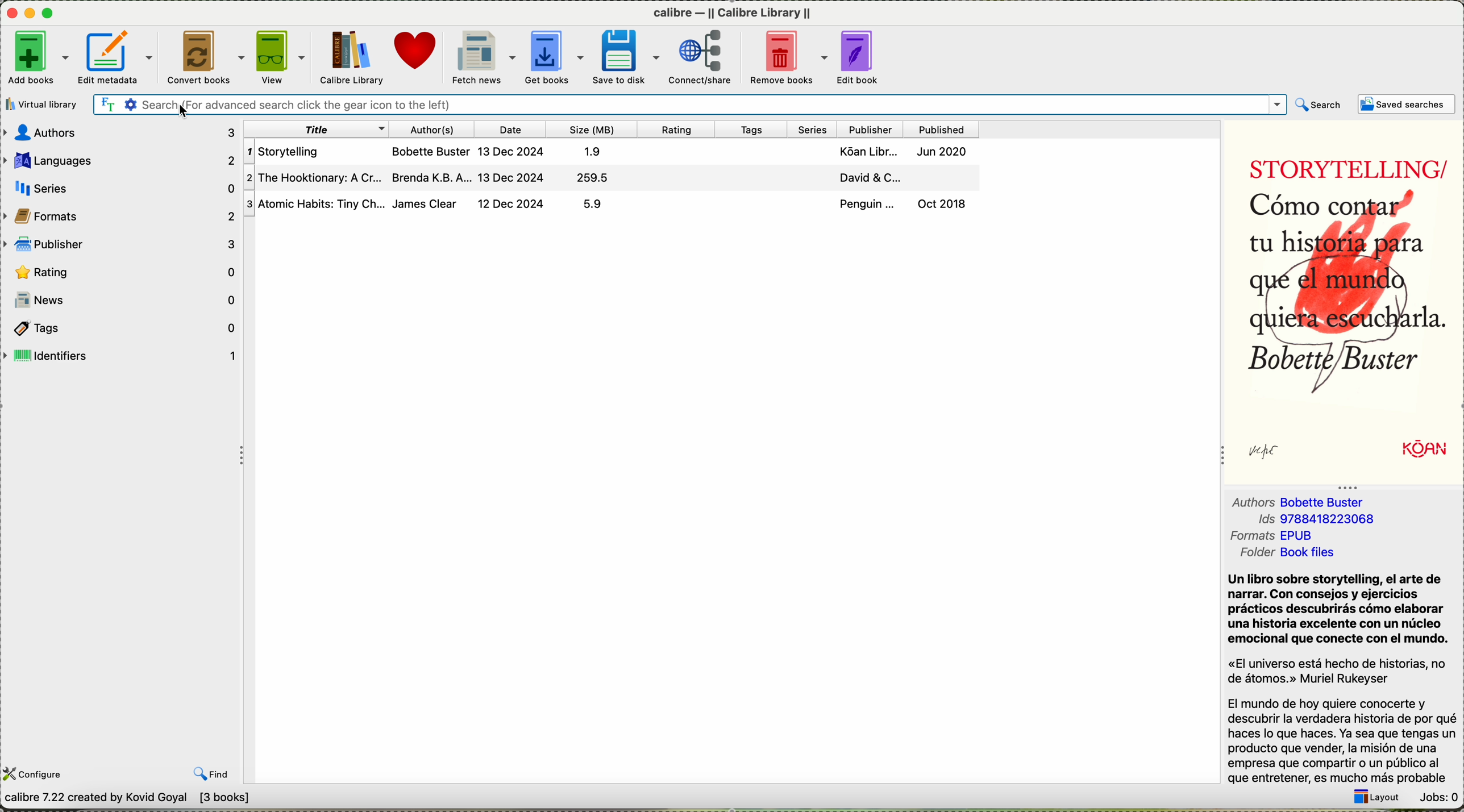 The width and height of the screenshot is (1464, 812). I want to click on 1.9, so click(598, 150).